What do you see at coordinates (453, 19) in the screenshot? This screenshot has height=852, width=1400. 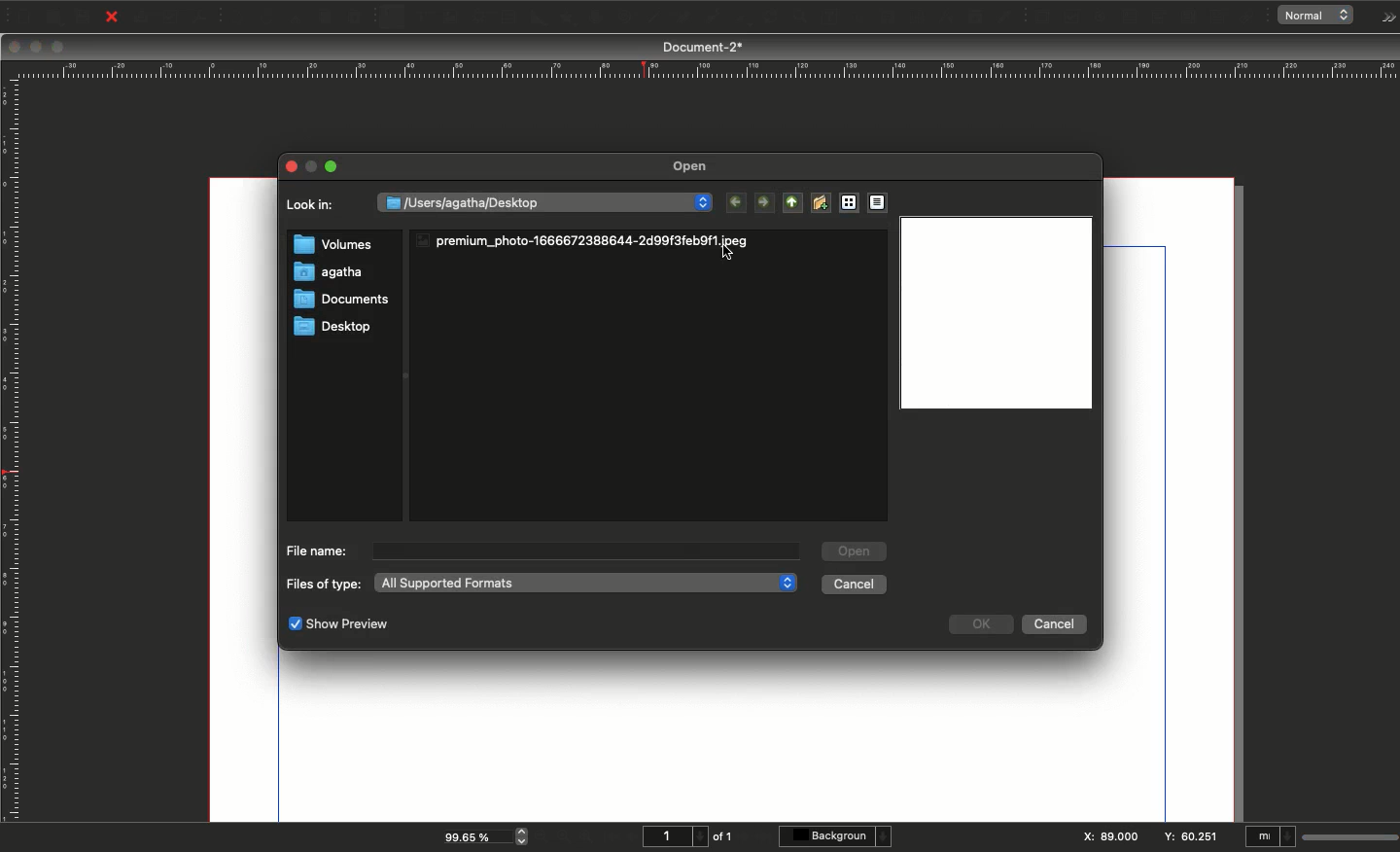 I see `Image frame` at bounding box center [453, 19].